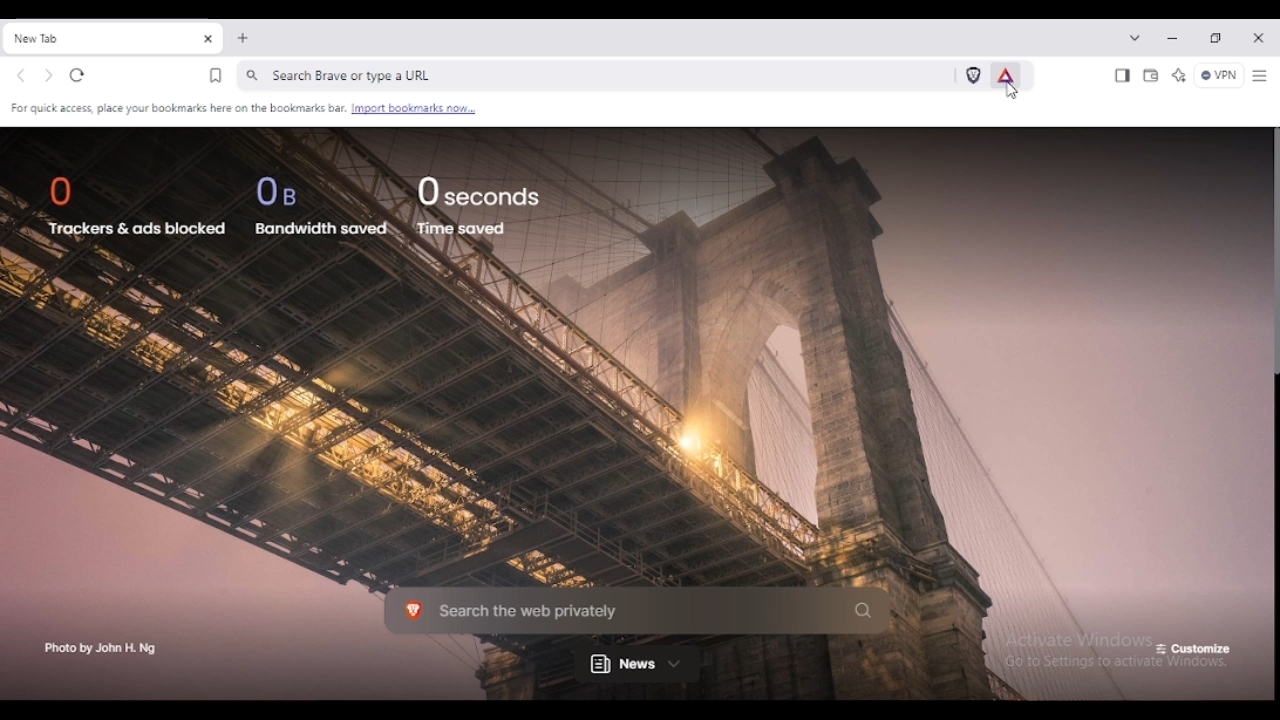 The image size is (1280, 720). Describe the element at coordinates (1272, 253) in the screenshot. I see `vertical scroll bar` at that location.